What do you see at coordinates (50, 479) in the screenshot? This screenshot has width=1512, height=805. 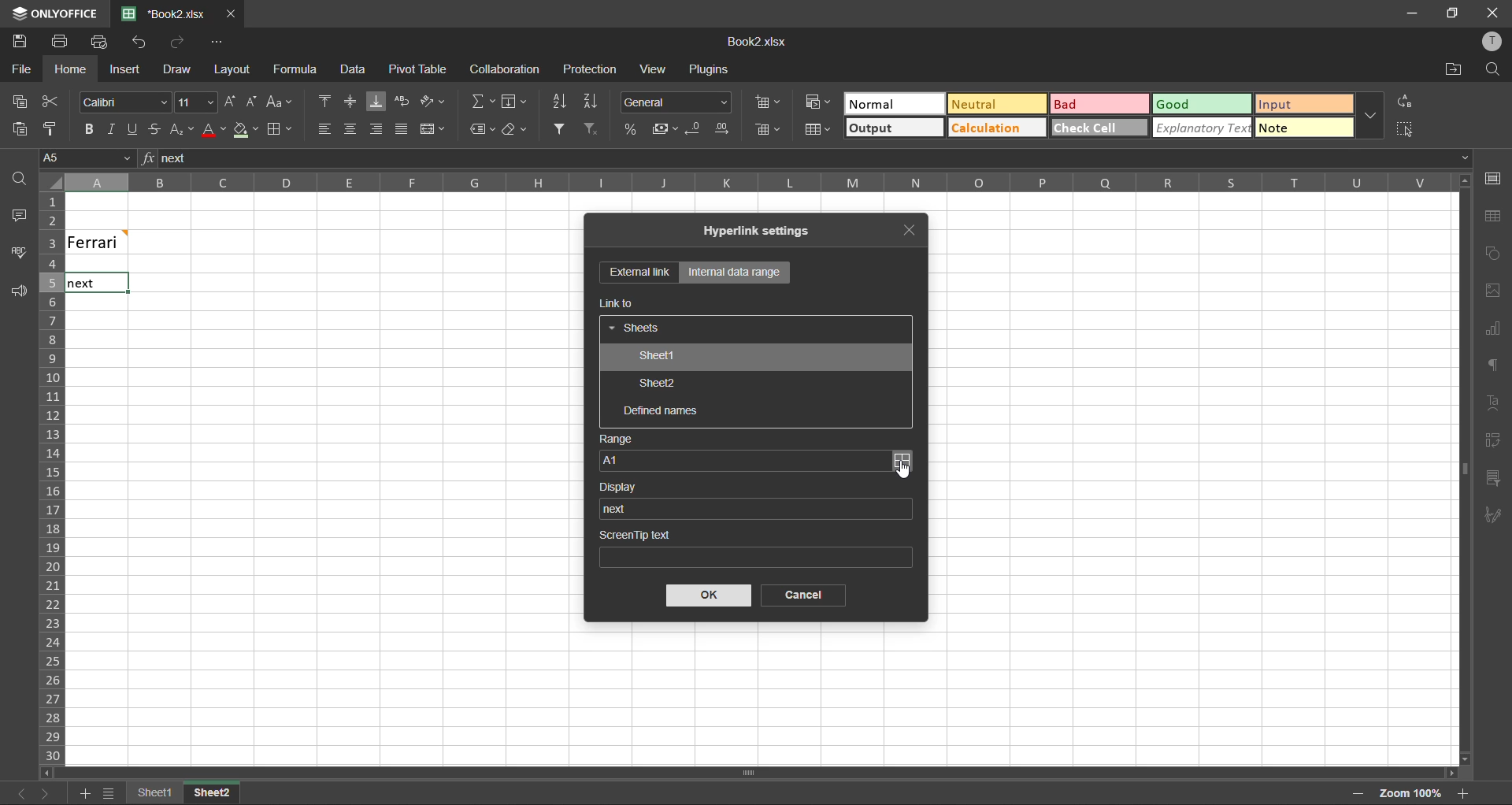 I see `row numbers` at bounding box center [50, 479].